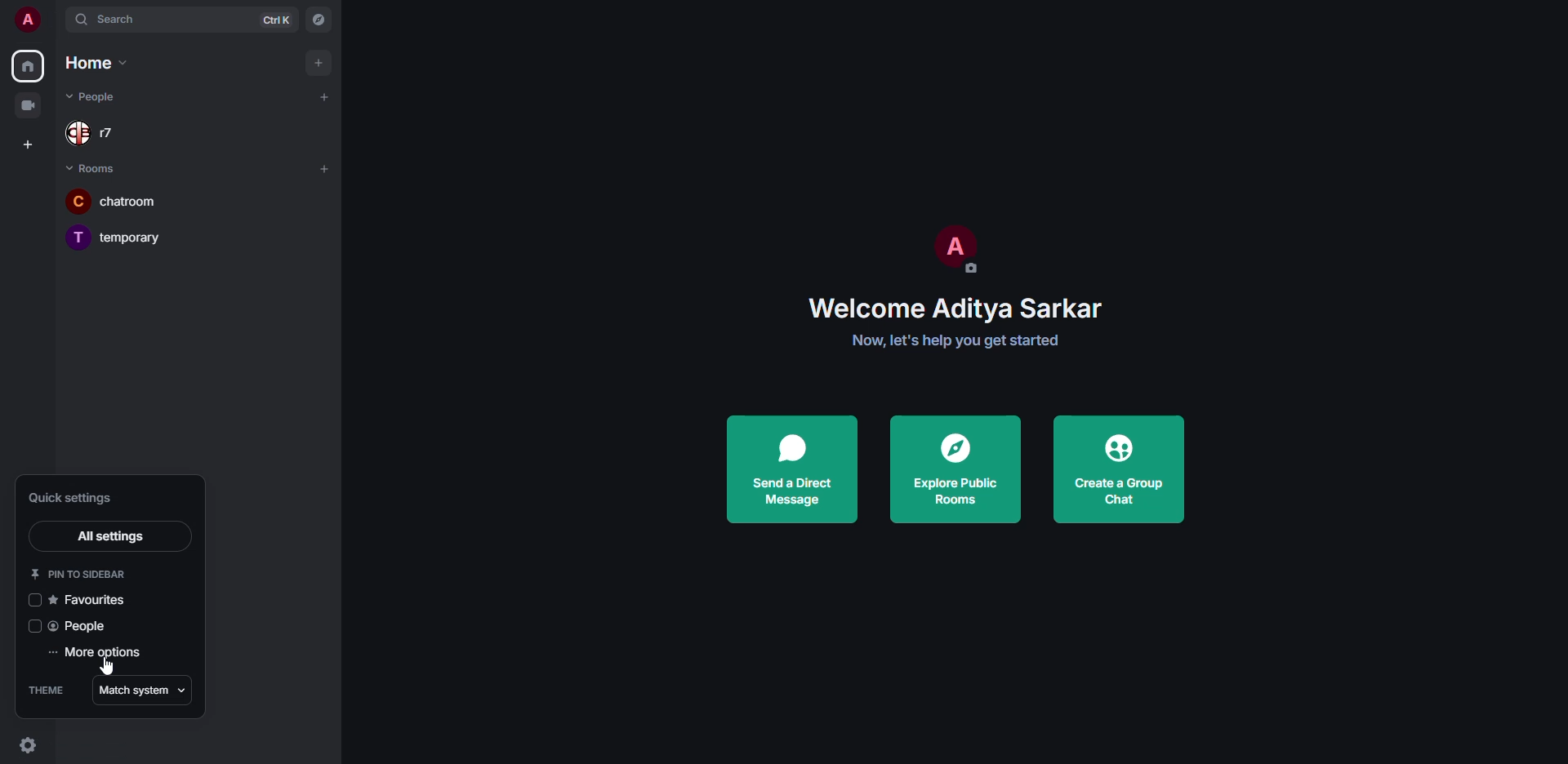 The width and height of the screenshot is (1568, 764). I want to click on quick settings, so click(28, 744).